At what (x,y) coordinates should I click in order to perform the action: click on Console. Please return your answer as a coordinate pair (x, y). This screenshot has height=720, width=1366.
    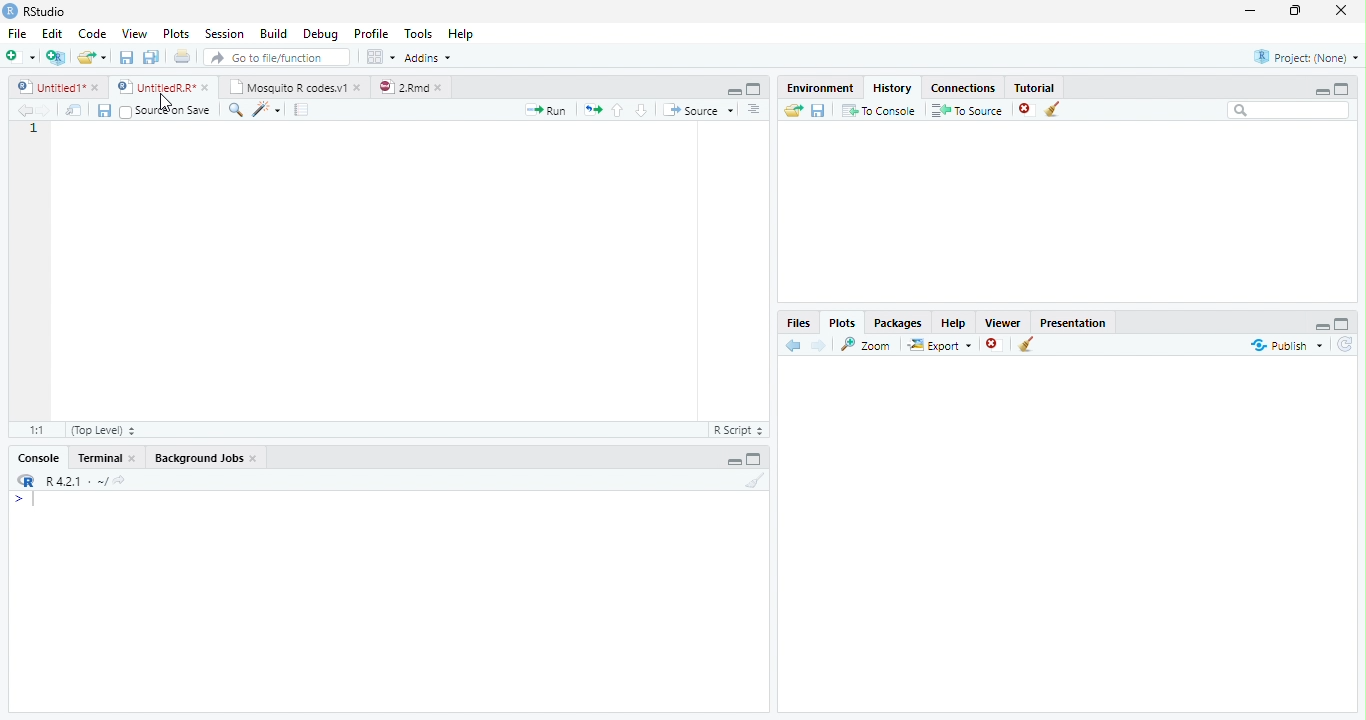
    Looking at the image, I should click on (386, 601).